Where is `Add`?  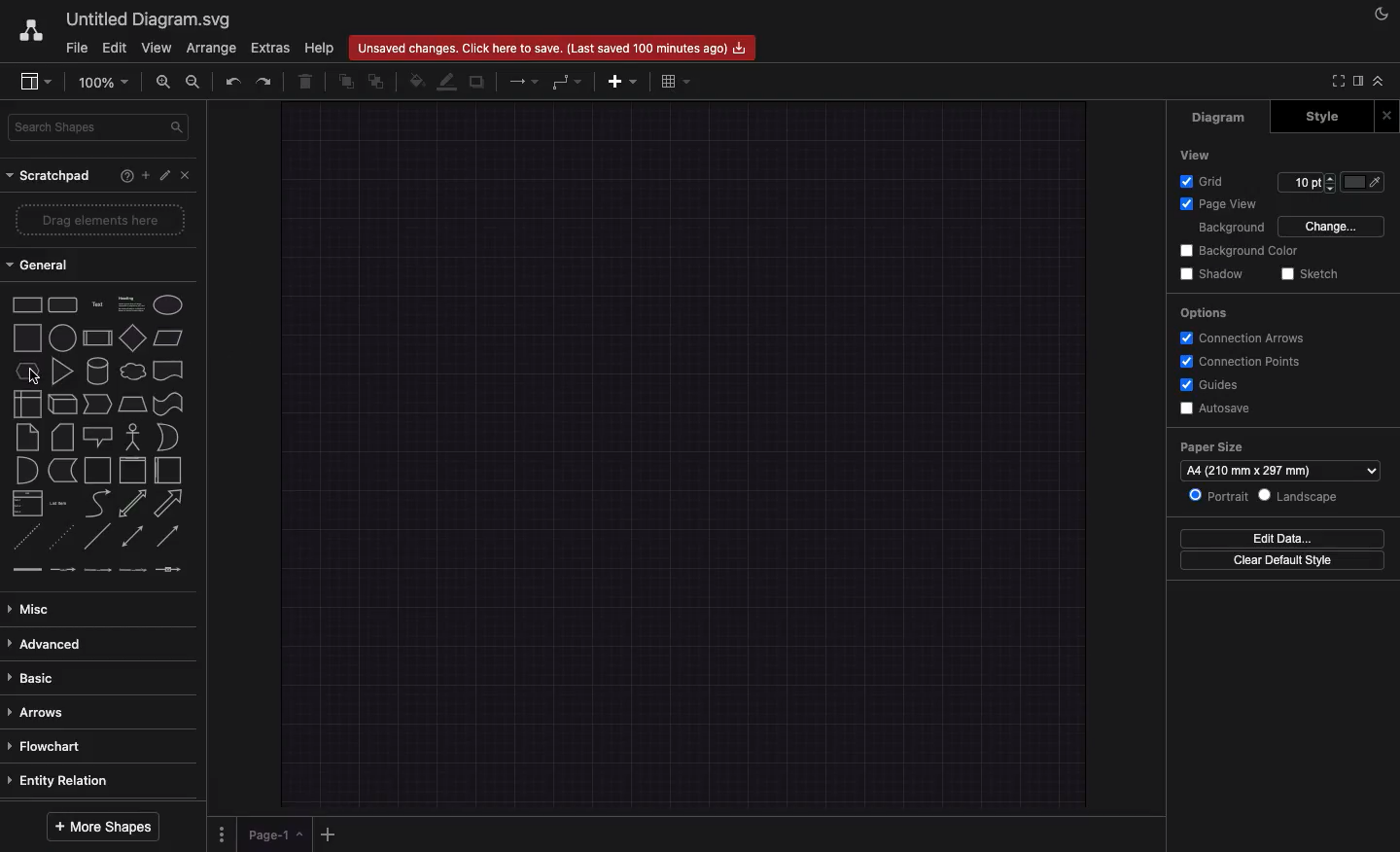
Add is located at coordinates (625, 82).